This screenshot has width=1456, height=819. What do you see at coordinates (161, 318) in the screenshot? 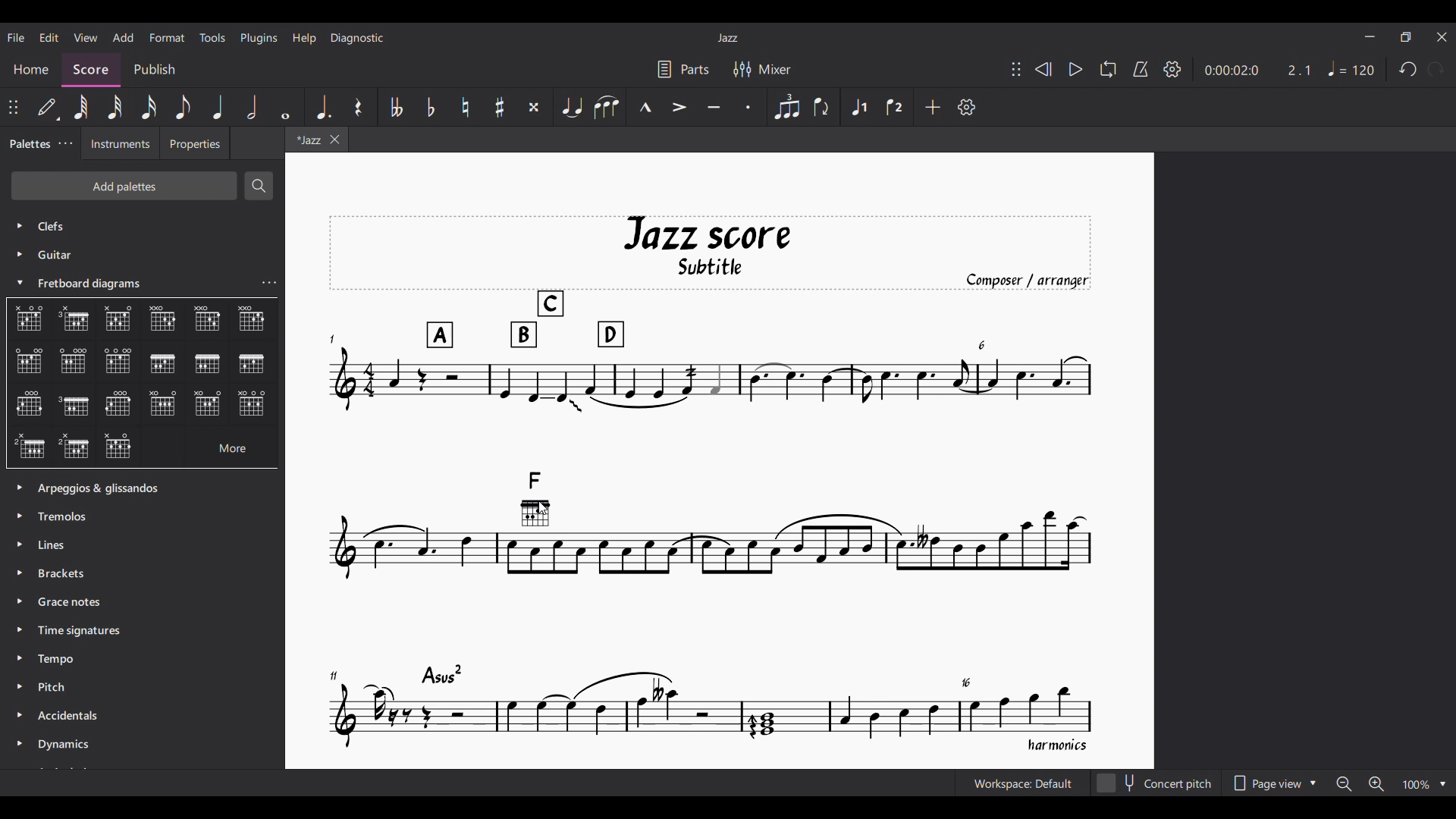
I see `Chart4` at bounding box center [161, 318].